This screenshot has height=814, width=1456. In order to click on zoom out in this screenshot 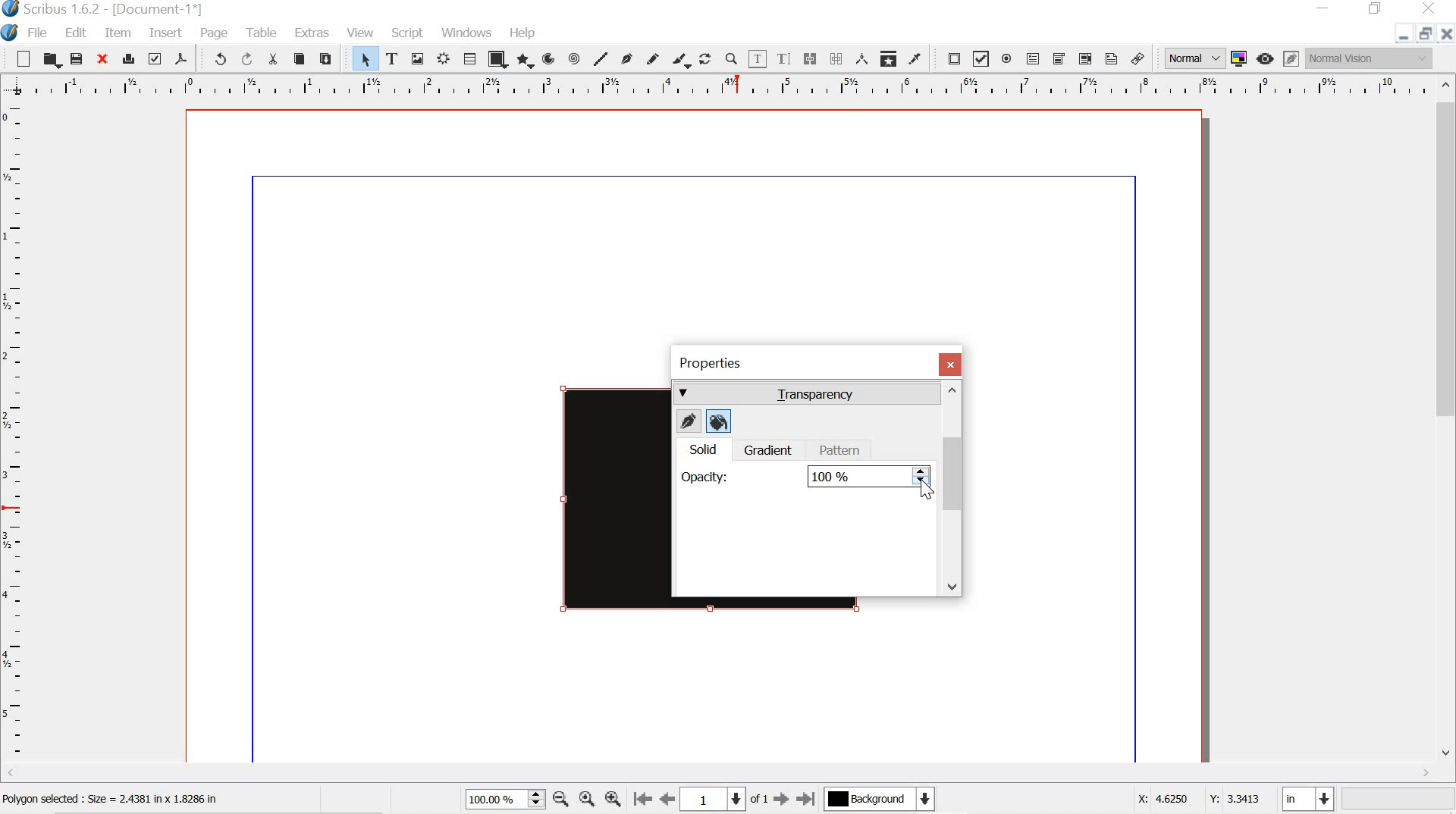, I will do `click(560, 800)`.